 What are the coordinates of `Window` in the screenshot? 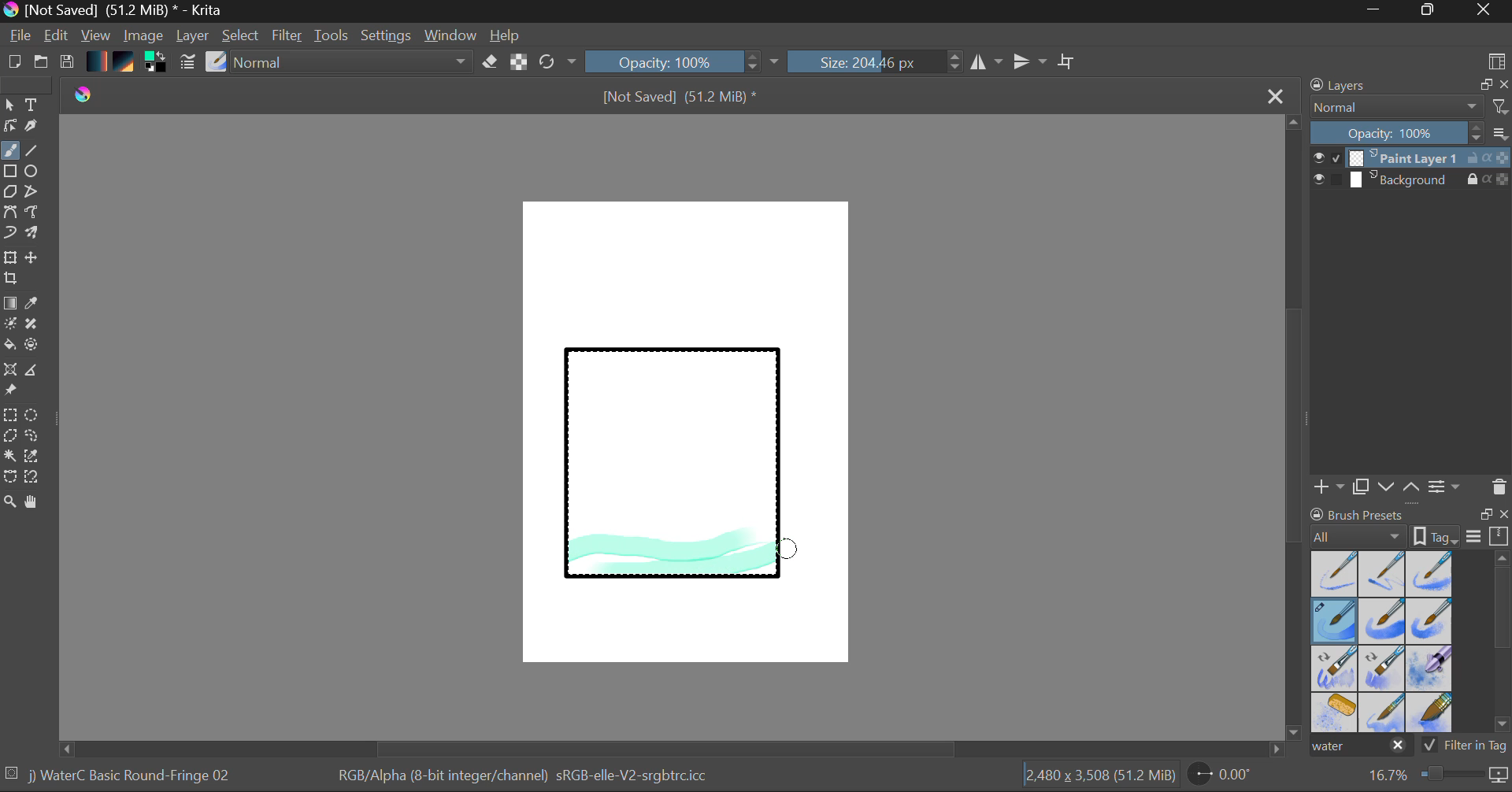 It's located at (453, 35).